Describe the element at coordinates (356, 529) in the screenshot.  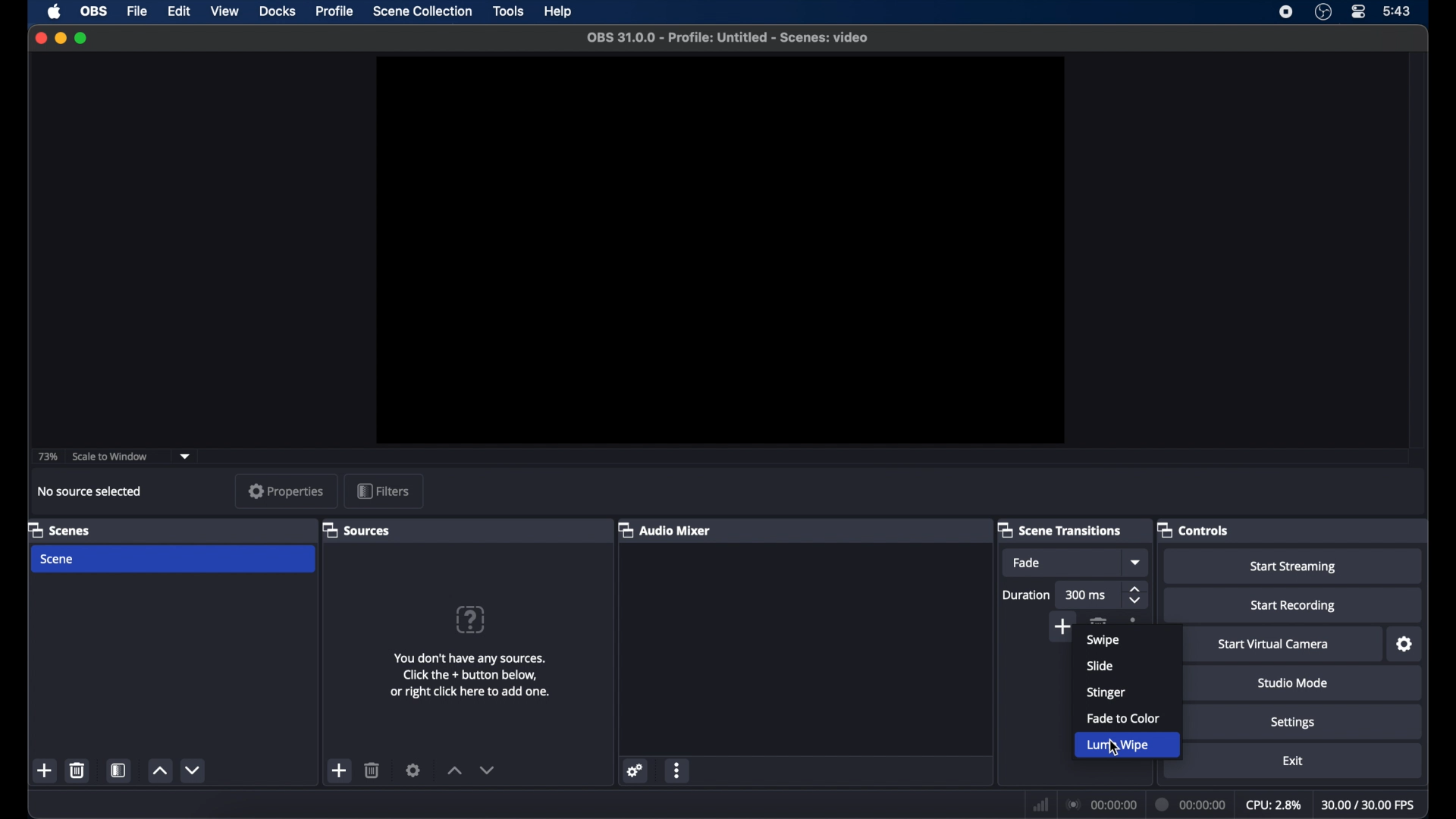
I see `sources` at that location.